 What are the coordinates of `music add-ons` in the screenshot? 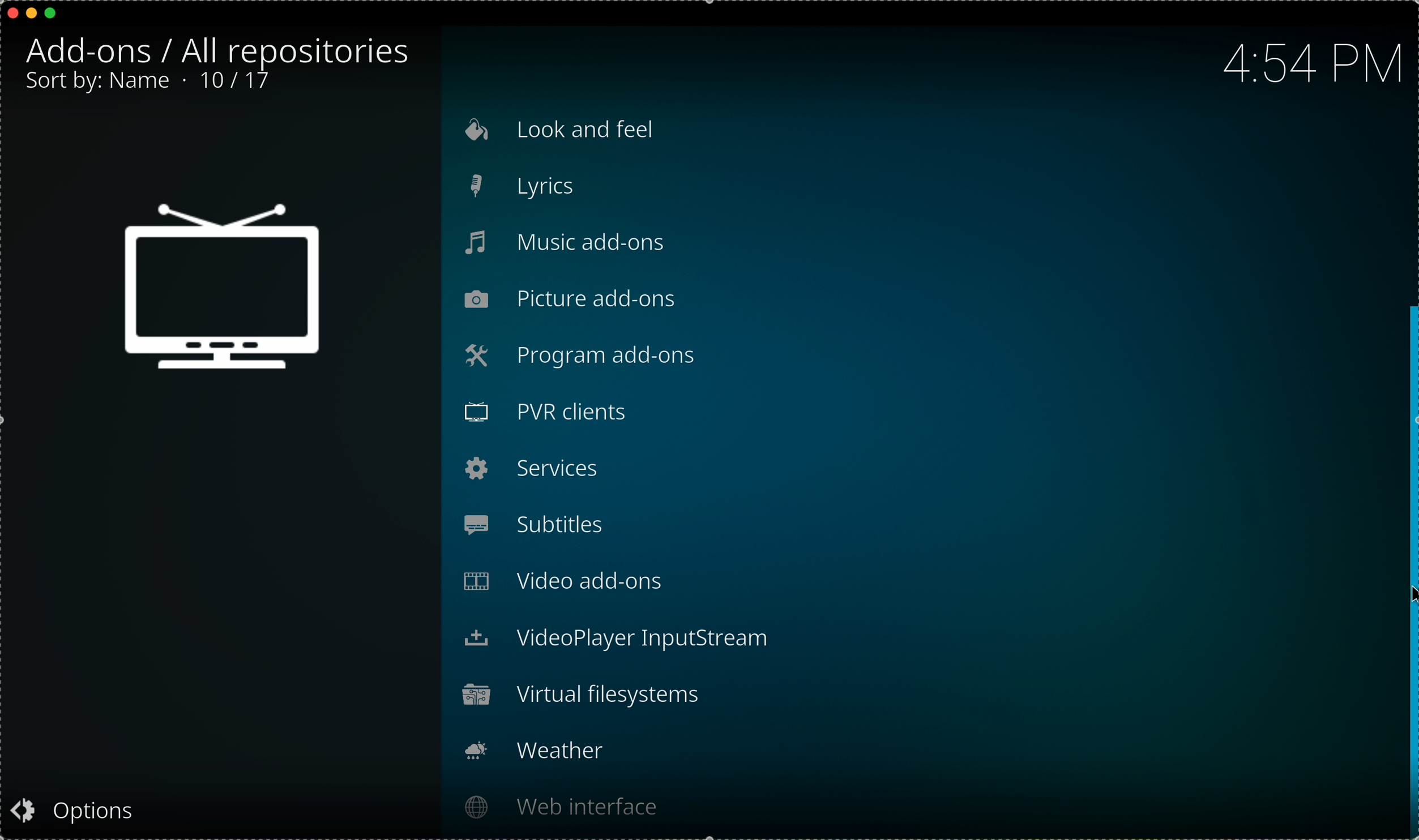 It's located at (571, 243).